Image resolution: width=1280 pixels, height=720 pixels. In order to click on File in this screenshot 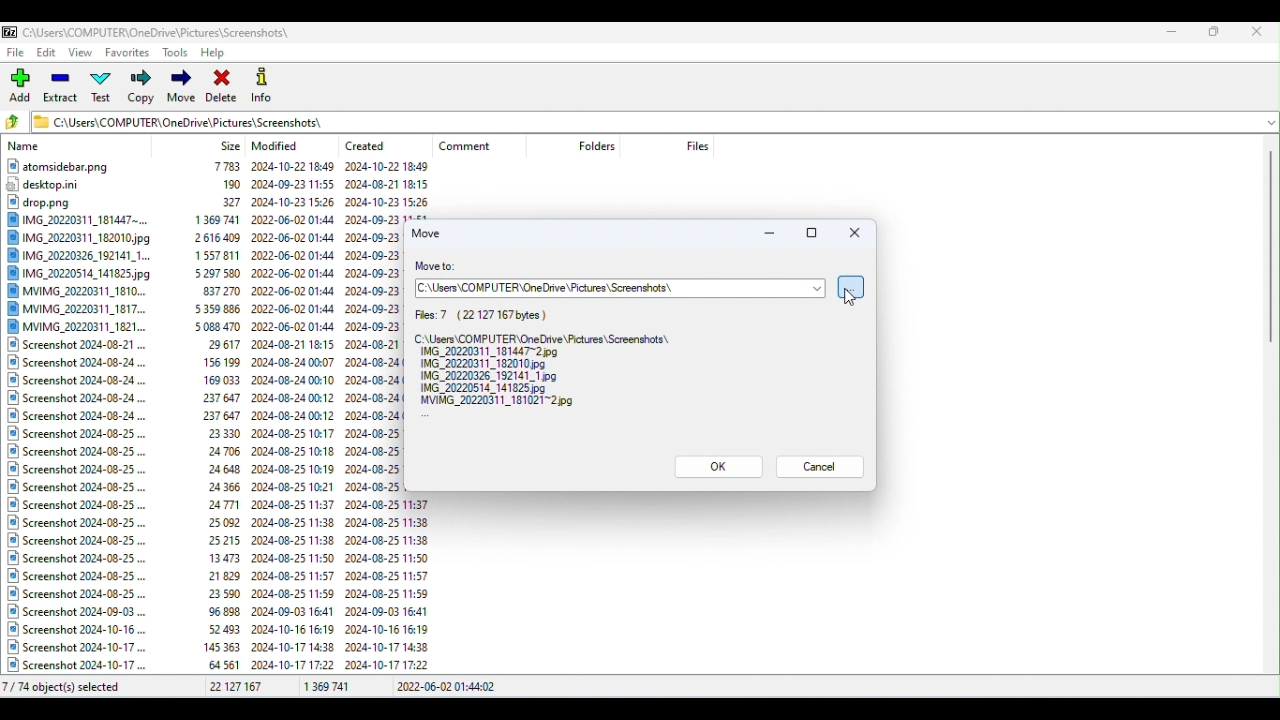, I will do `click(17, 52)`.